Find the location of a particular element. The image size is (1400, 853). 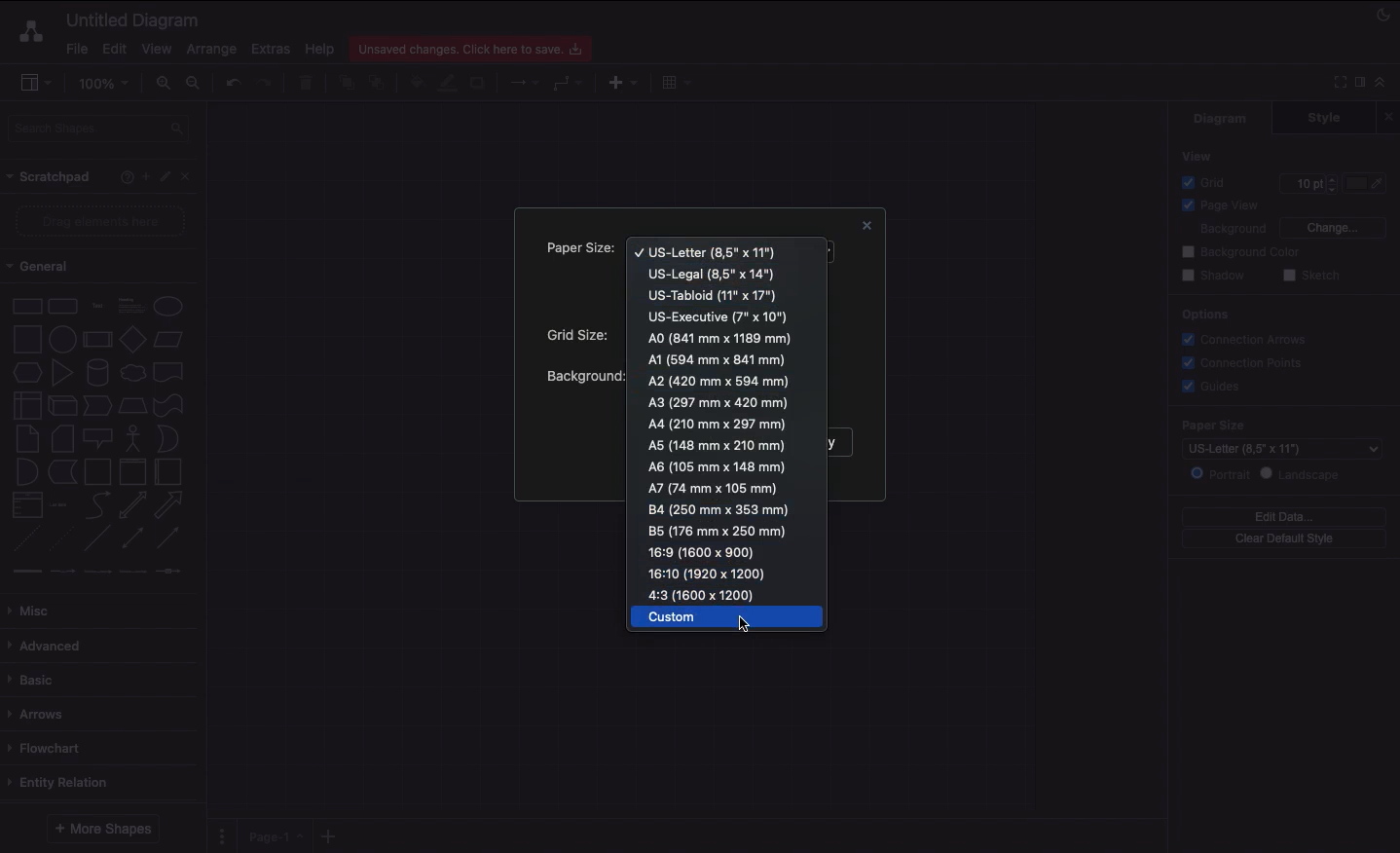

Trapezoid is located at coordinates (130, 406).